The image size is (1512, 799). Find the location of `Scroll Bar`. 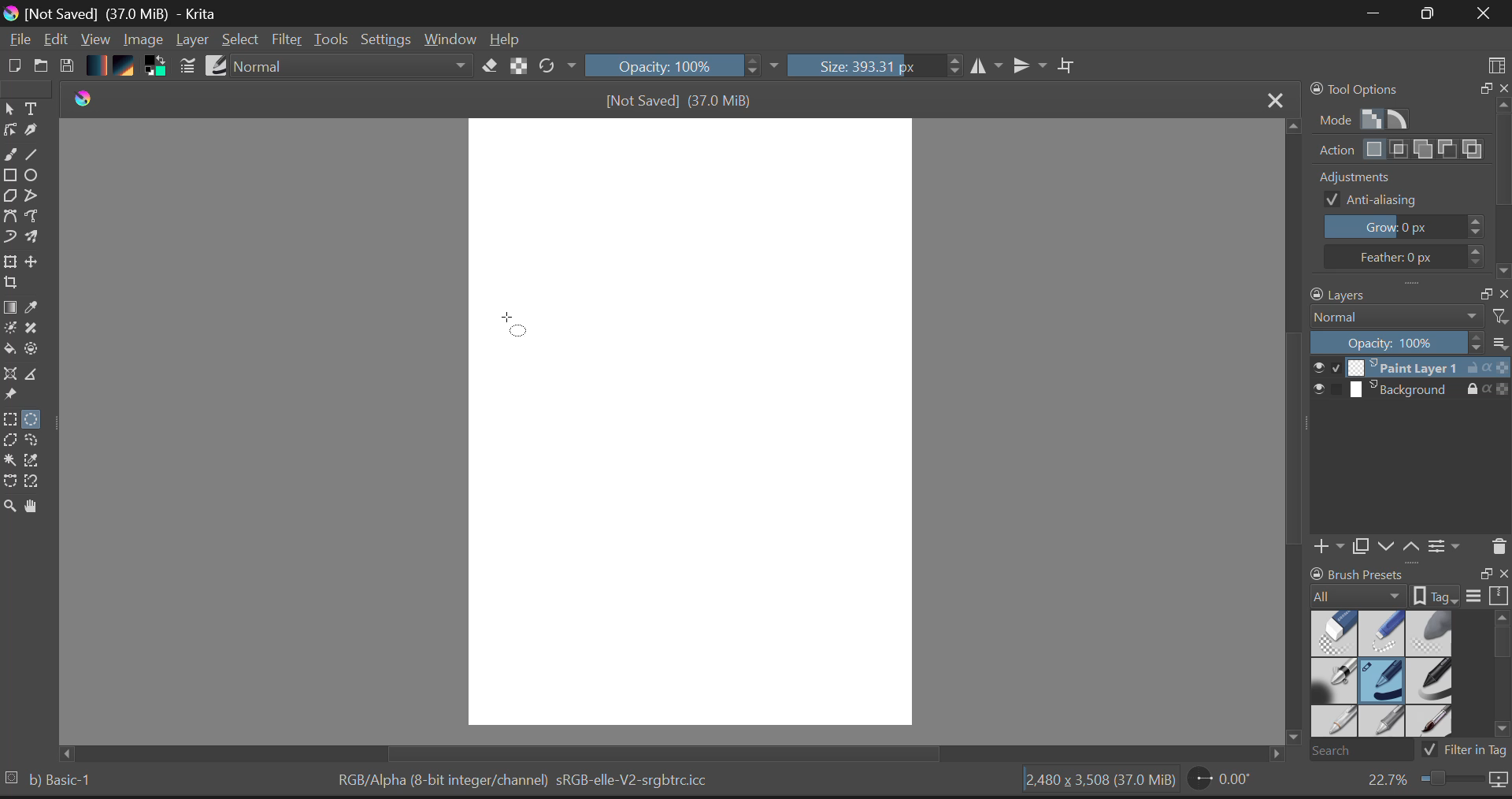

Scroll Bar is located at coordinates (1291, 440).